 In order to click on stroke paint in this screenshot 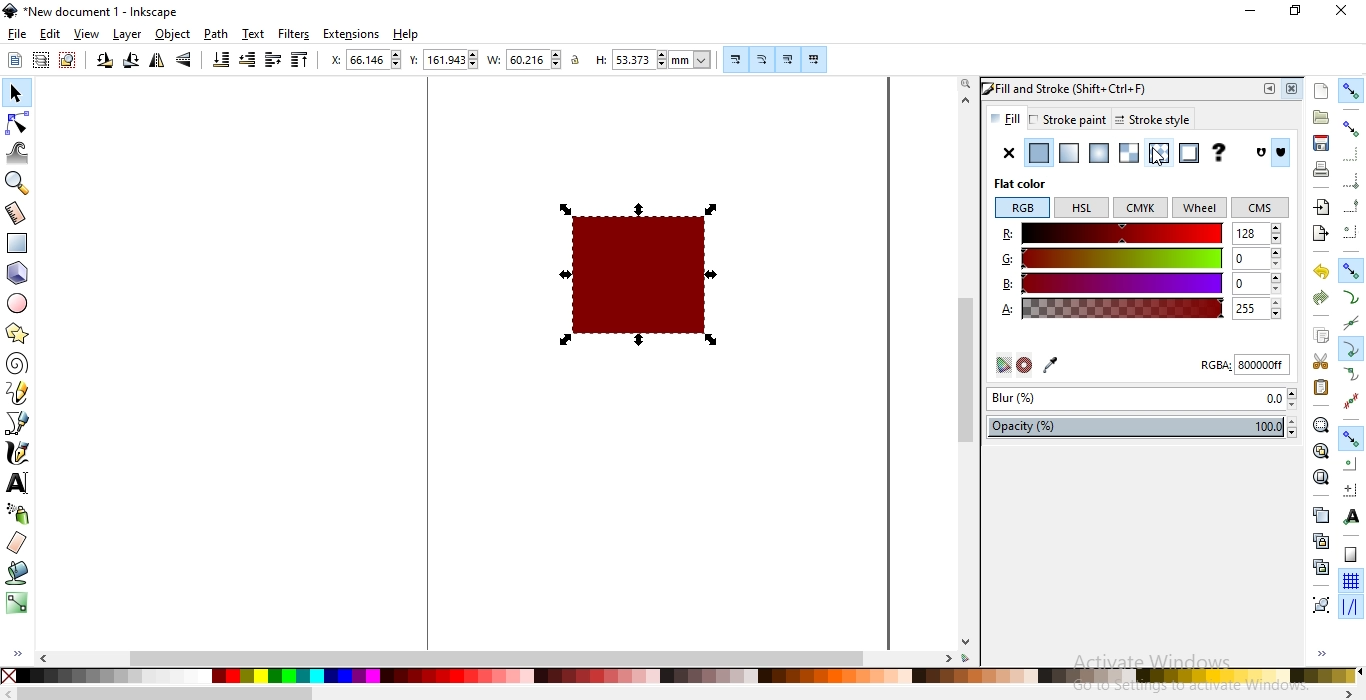, I will do `click(1067, 119)`.